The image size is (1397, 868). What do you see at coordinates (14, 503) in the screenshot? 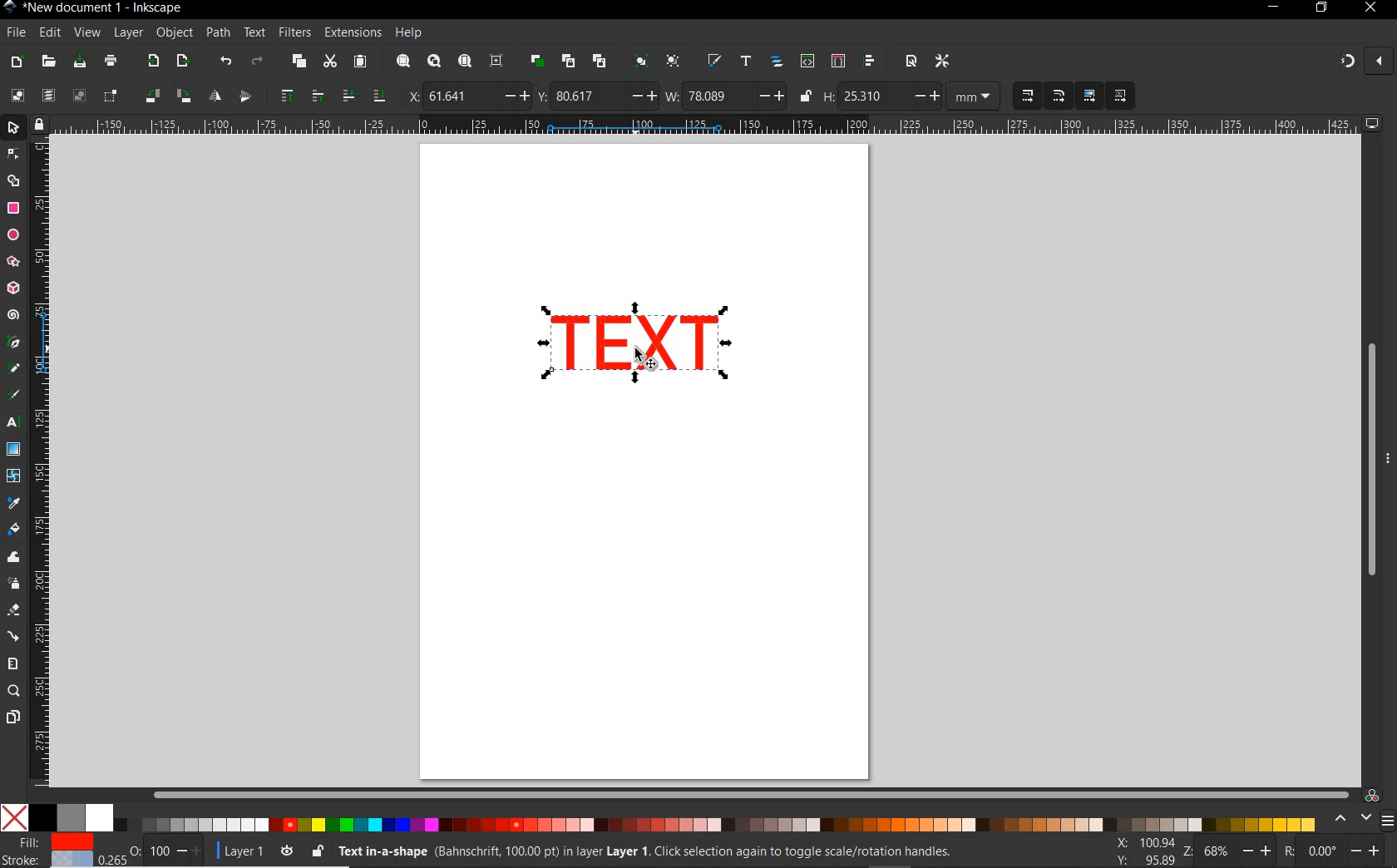
I see `dropper` at bounding box center [14, 503].